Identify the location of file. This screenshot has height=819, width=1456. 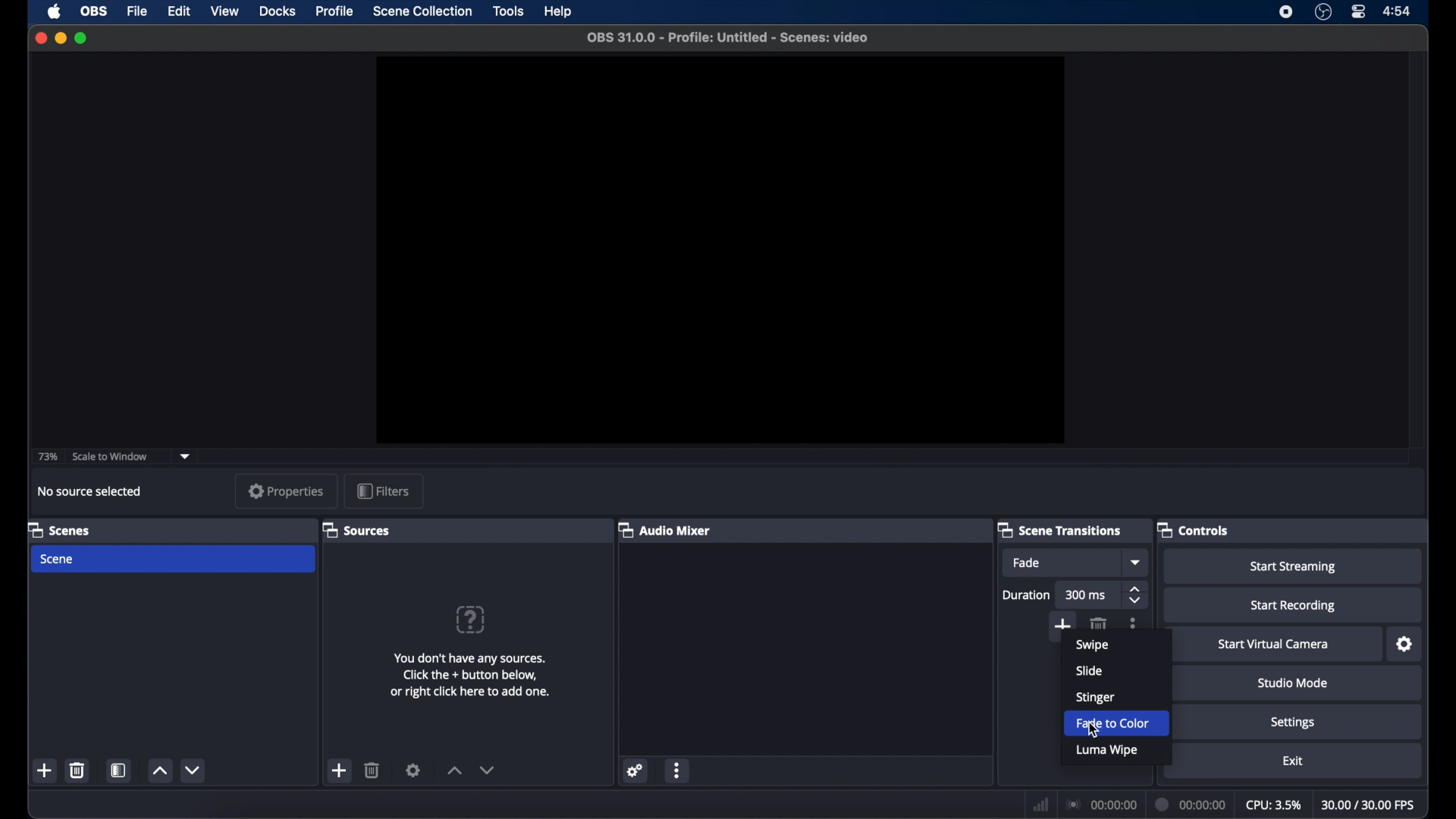
(140, 11).